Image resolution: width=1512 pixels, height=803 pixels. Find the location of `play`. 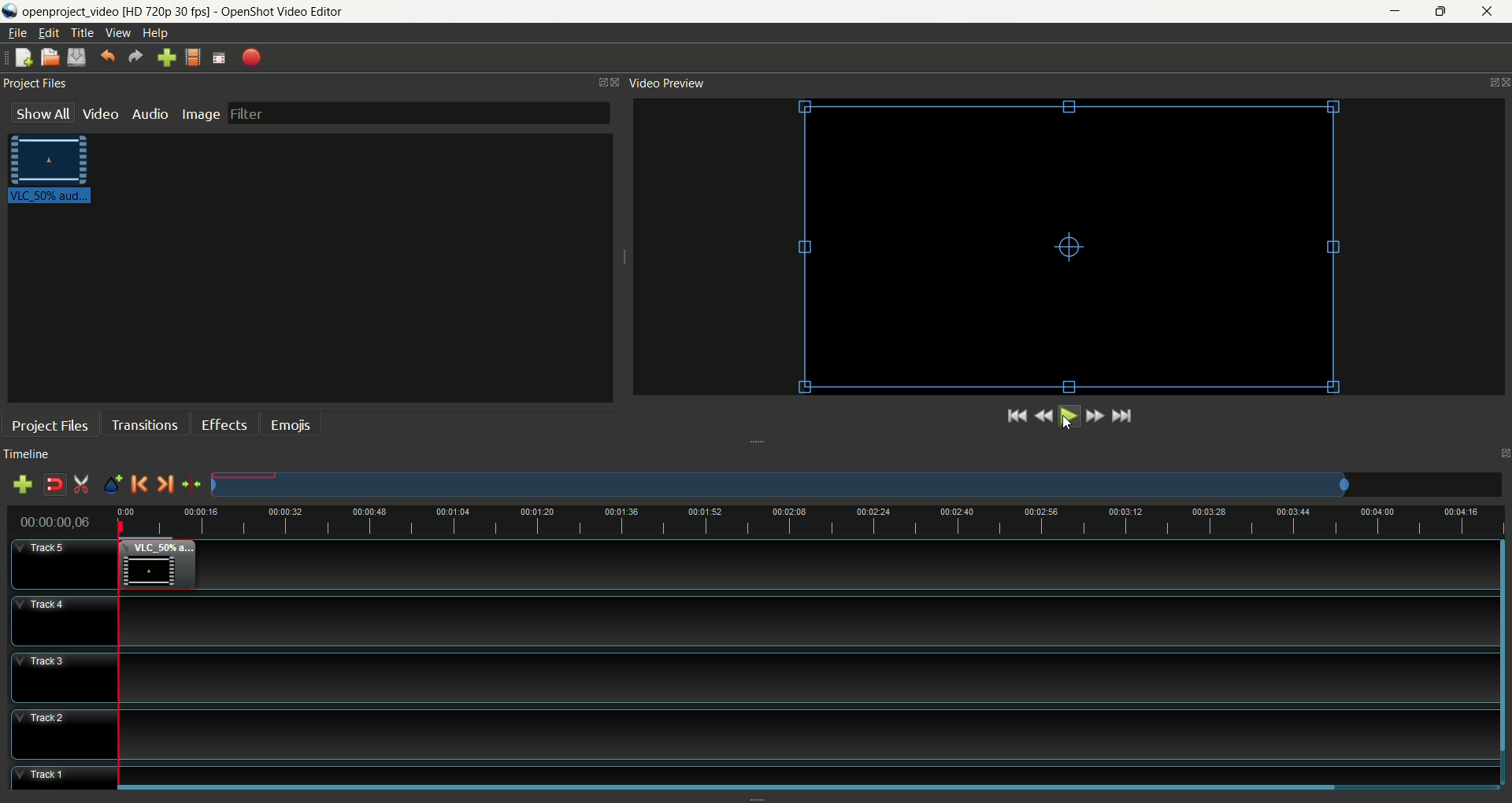

play is located at coordinates (1066, 416).